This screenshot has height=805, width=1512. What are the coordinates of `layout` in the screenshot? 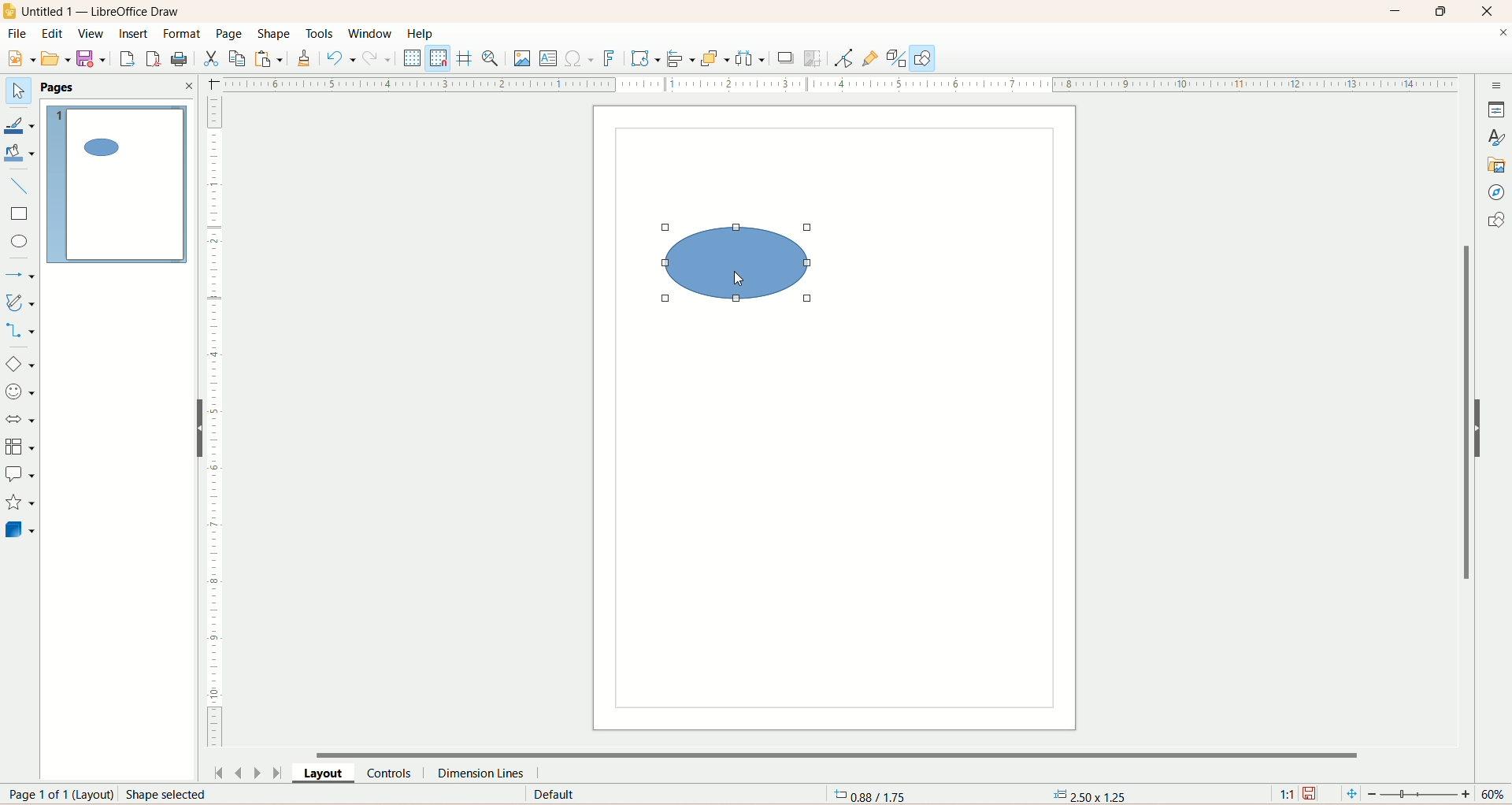 It's located at (327, 772).